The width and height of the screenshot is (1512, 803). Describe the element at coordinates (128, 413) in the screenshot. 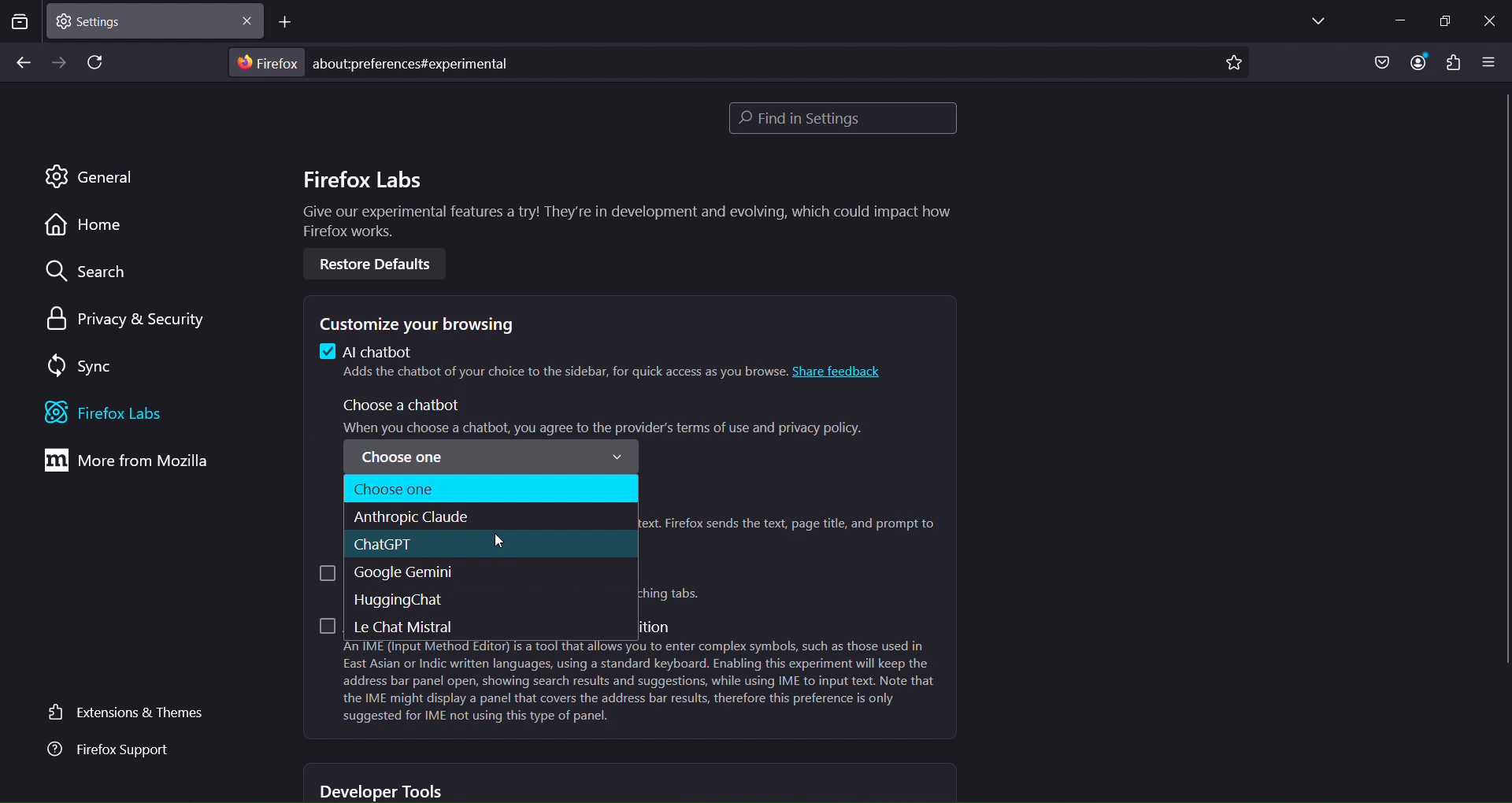

I see `firefox labs` at that location.